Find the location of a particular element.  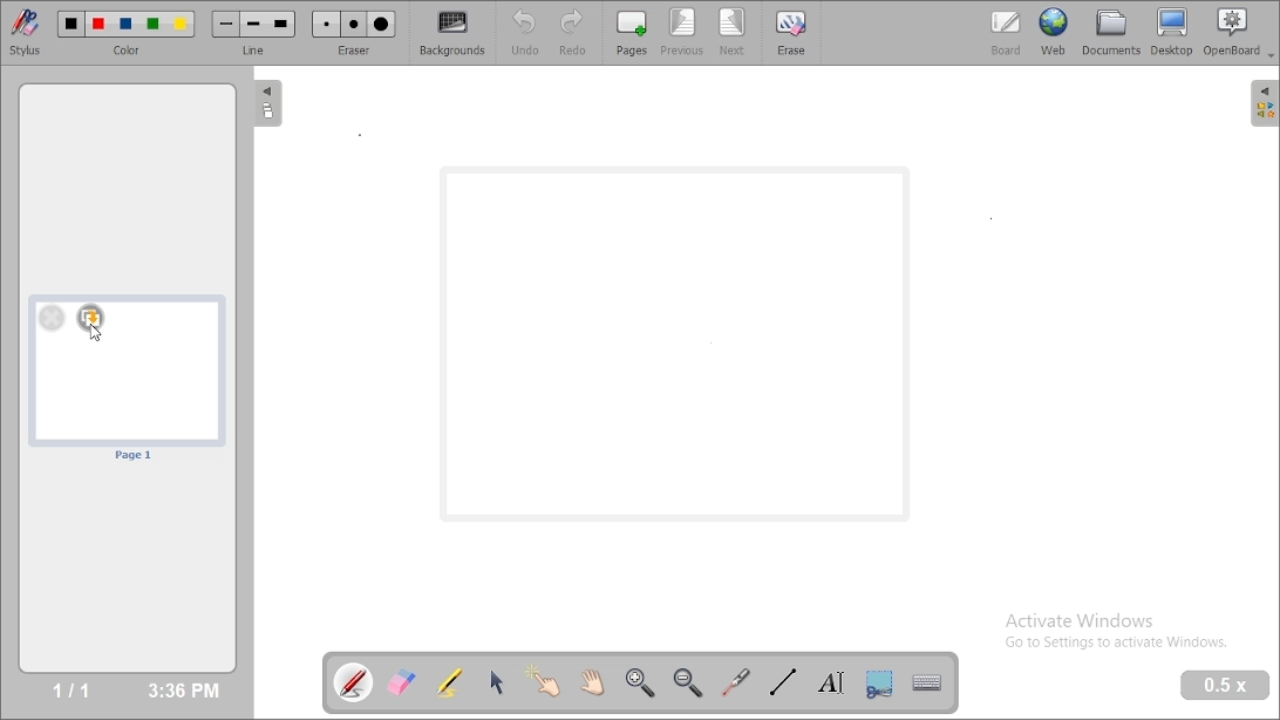

stylus is located at coordinates (25, 31).